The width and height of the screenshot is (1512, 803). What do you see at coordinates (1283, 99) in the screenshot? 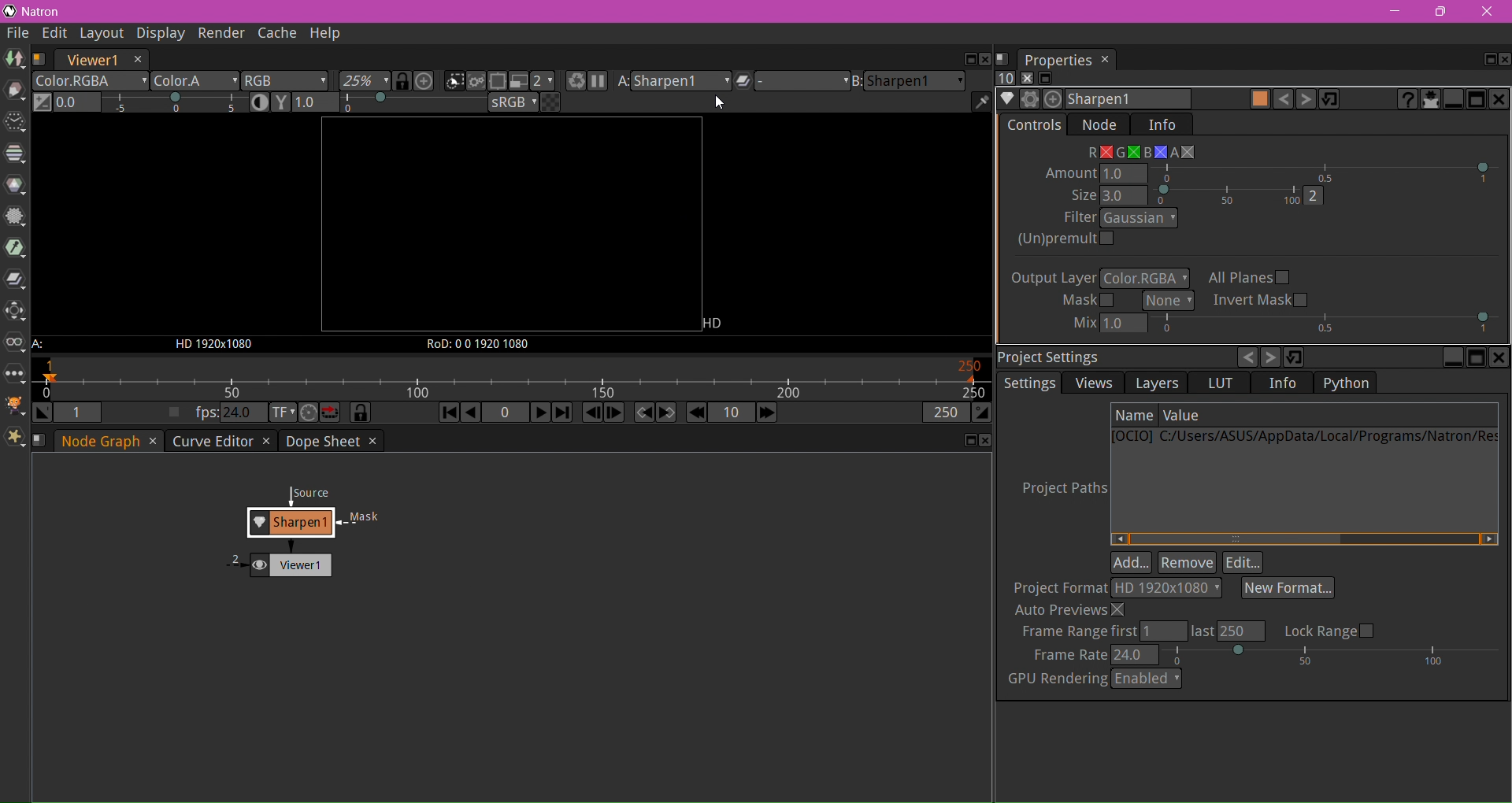
I see `Undo the last change made to this operator` at bounding box center [1283, 99].